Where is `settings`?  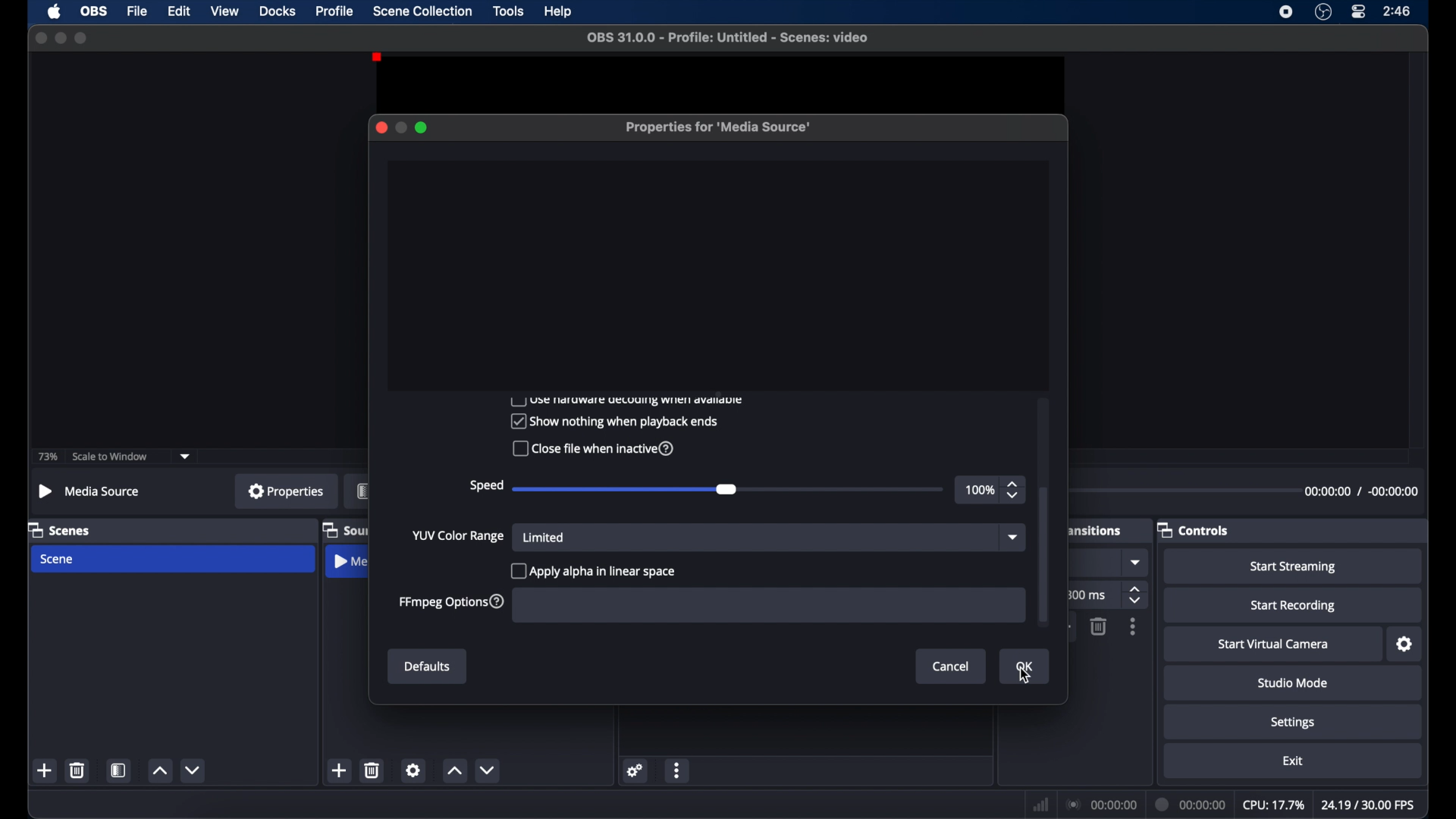
settings is located at coordinates (413, 770).